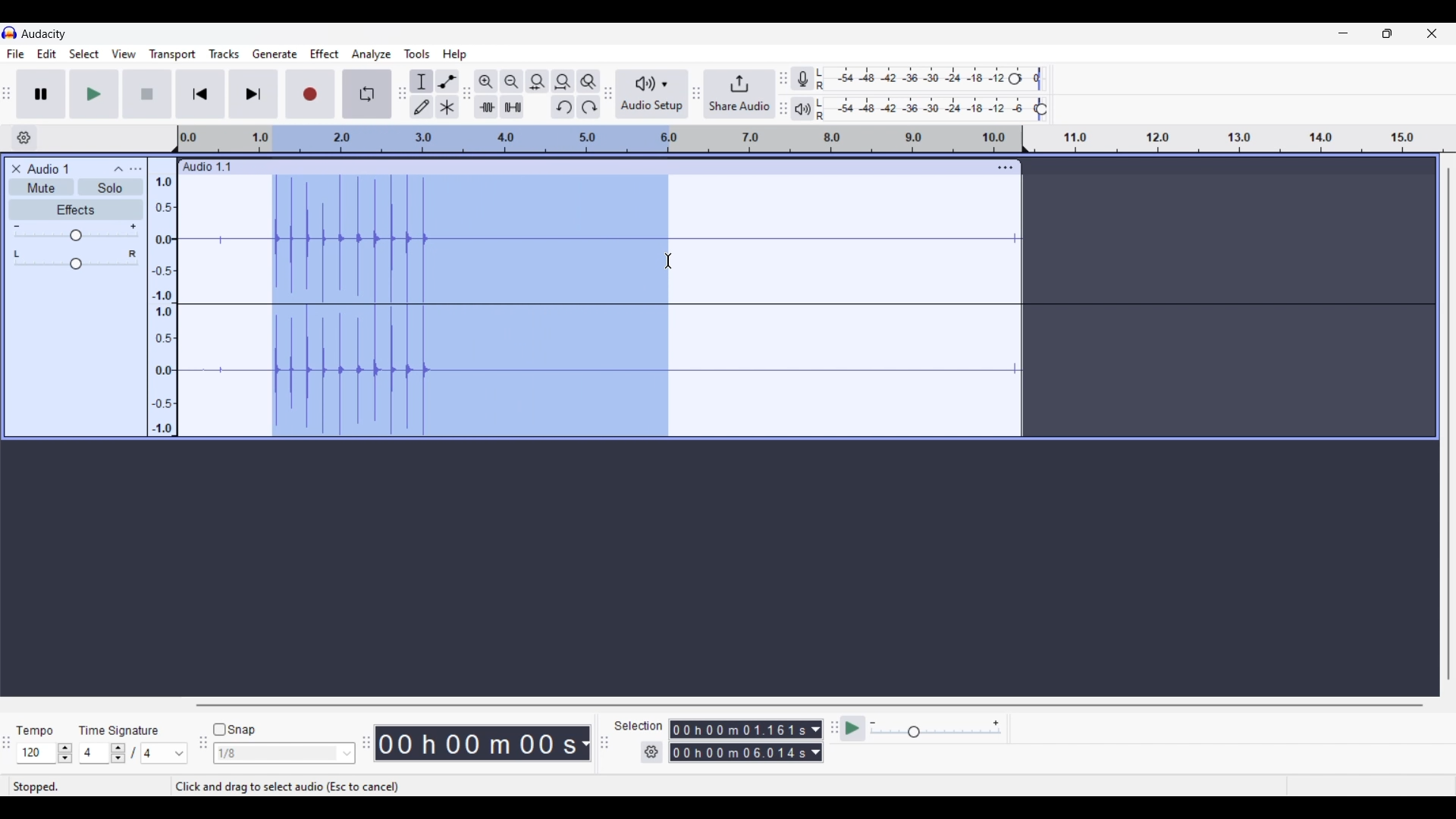  Describe the element at coordinates (45, 34) in the screenshot. I see `Software name` at that location.